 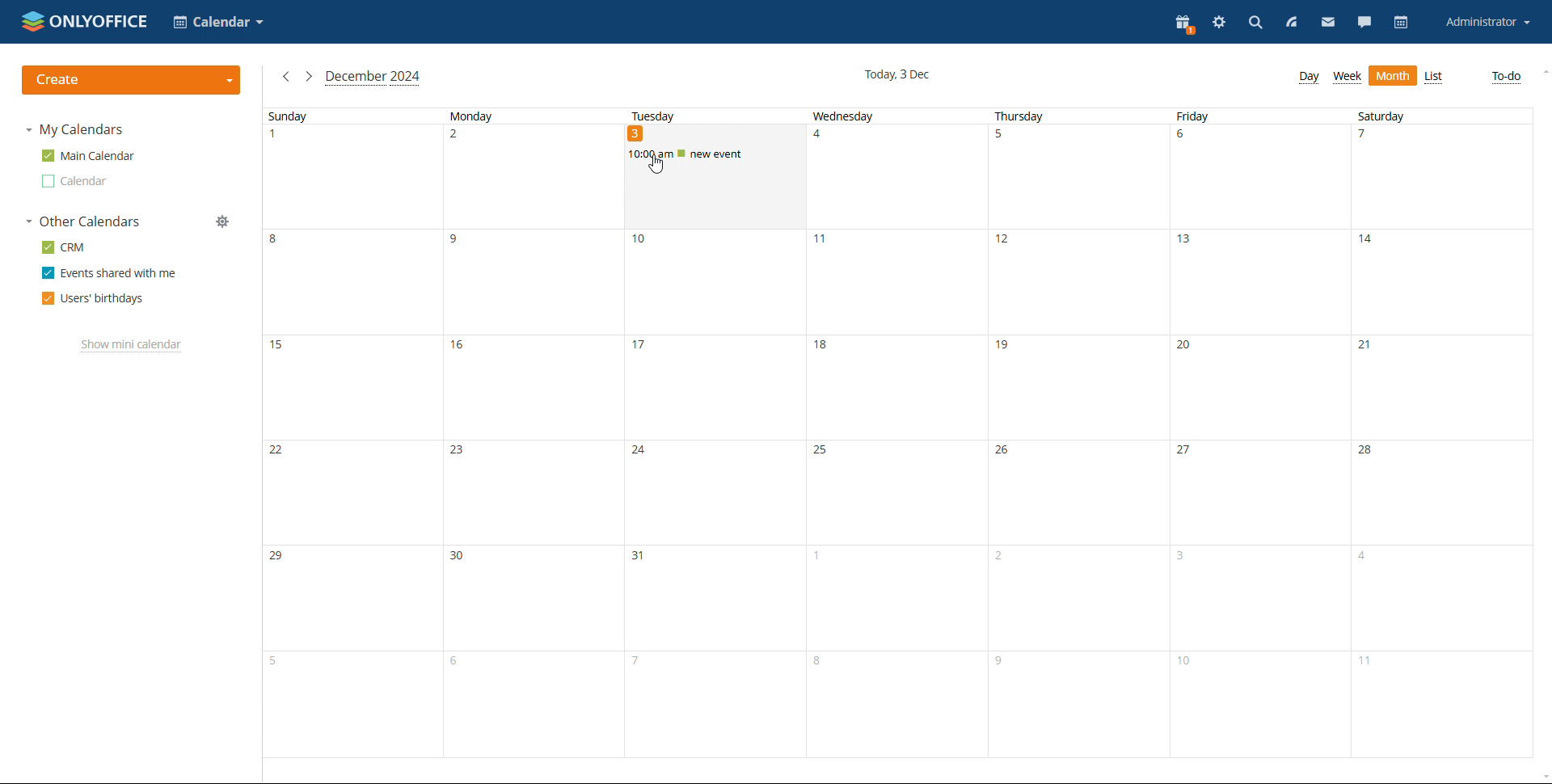 I want to click on my calendars, so click(x=77, y=129).